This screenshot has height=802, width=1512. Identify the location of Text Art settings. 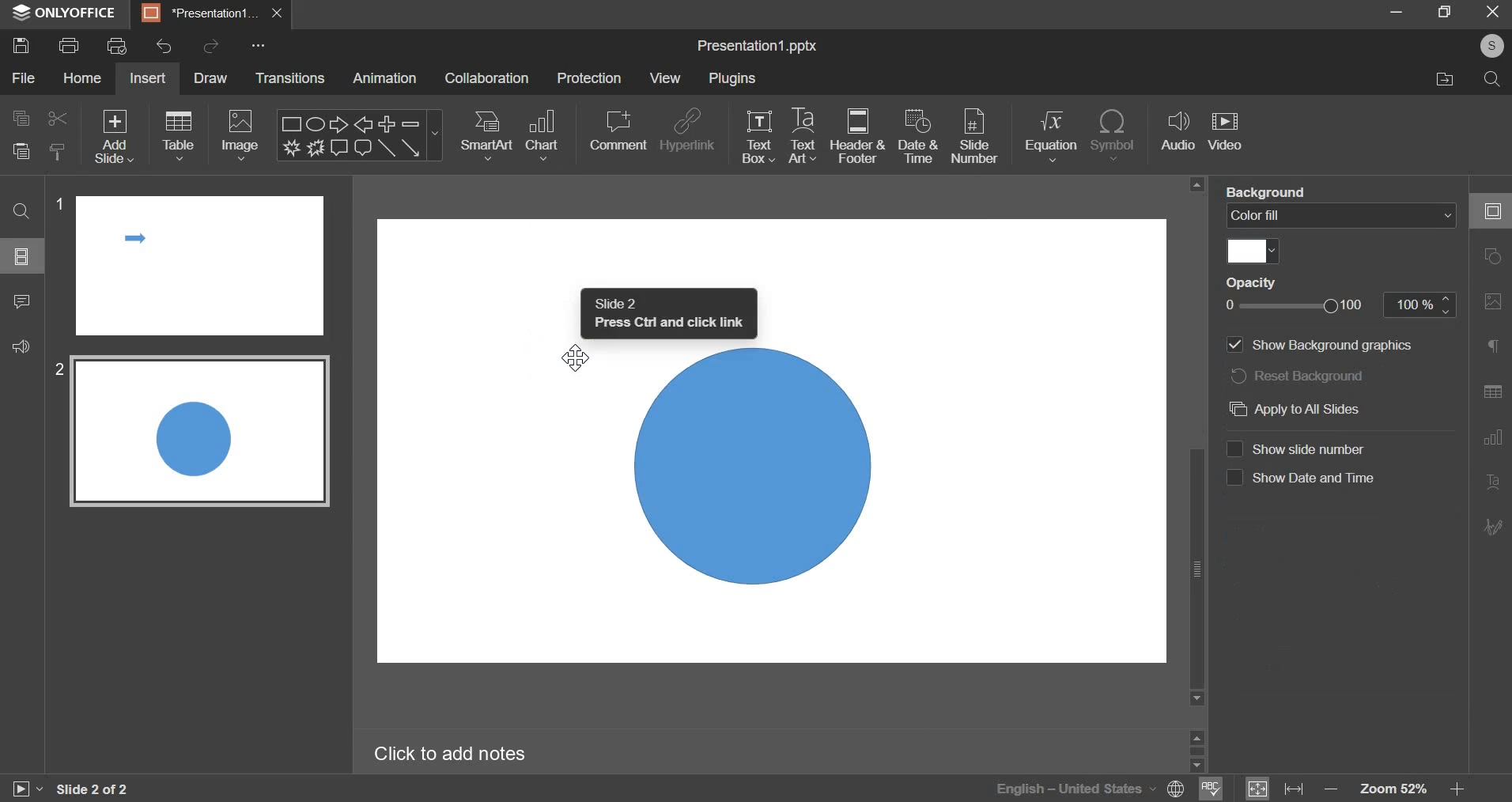
(1495, 481).